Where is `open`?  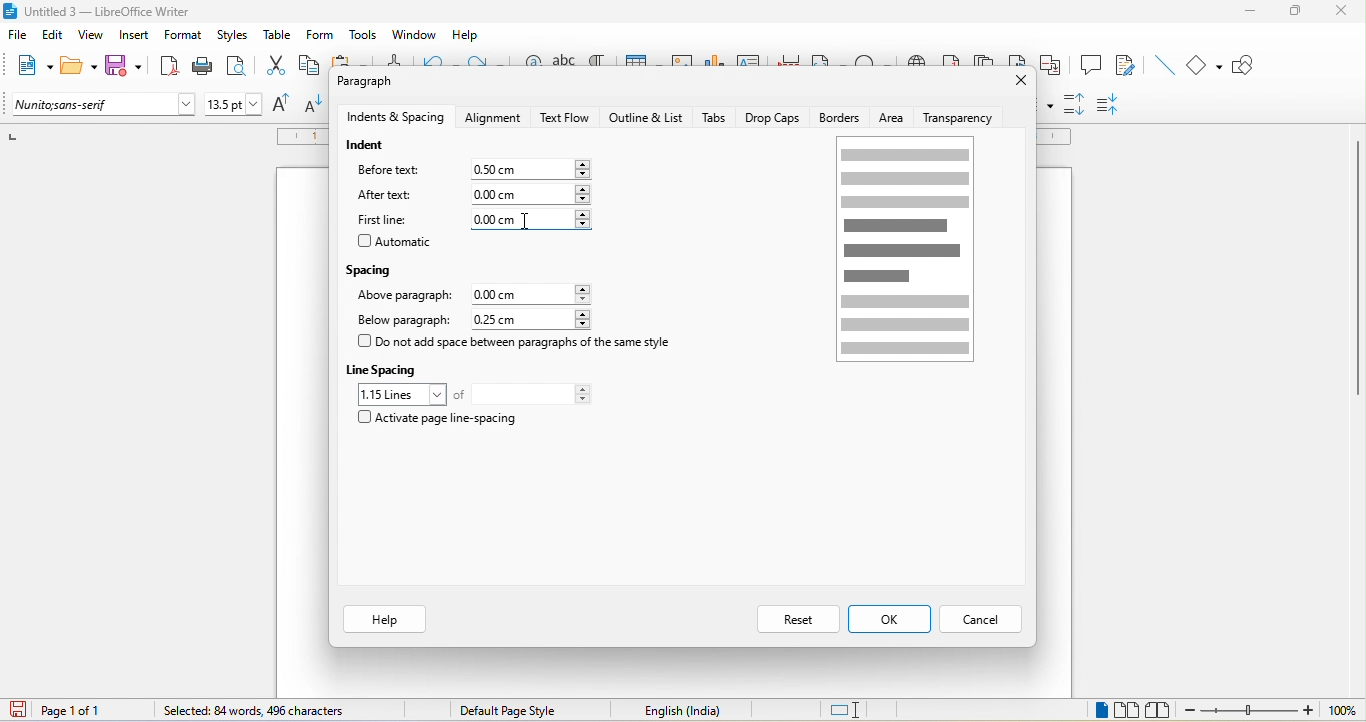
open is located at coordinates (79, 67).